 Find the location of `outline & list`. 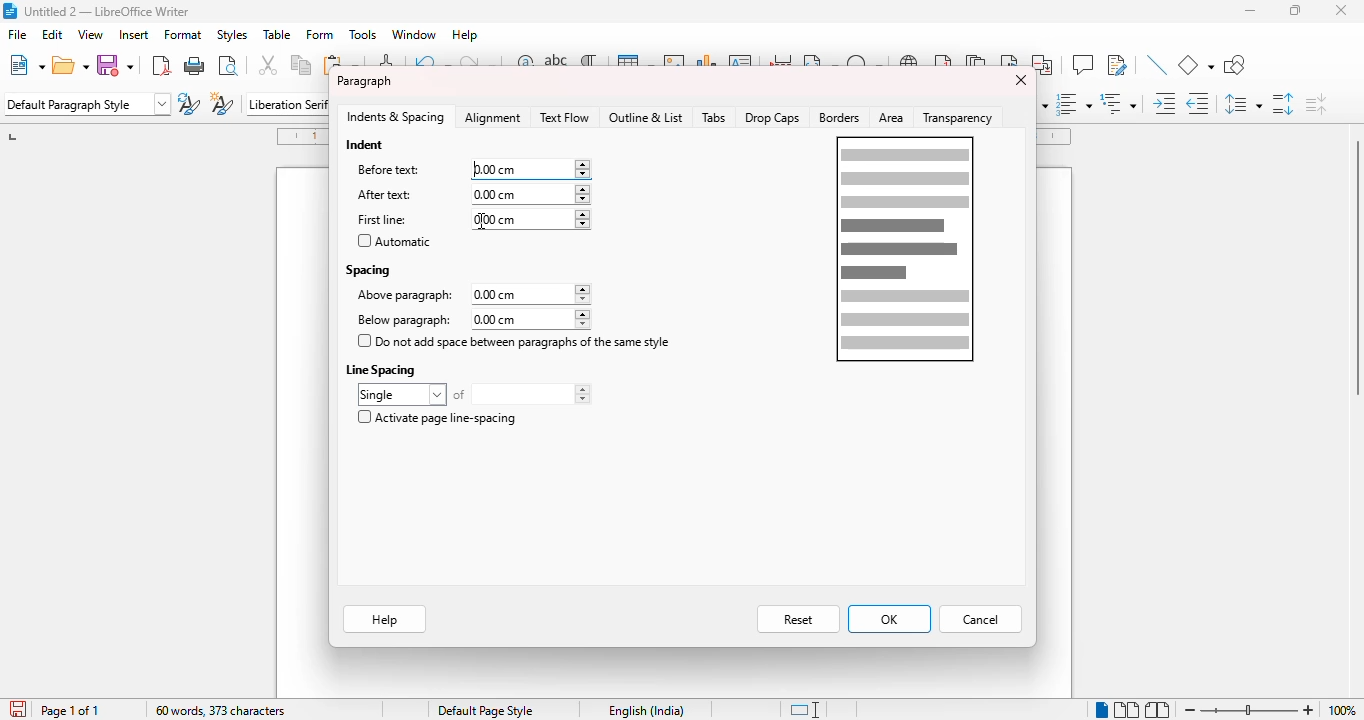

outline & list is located at coordinates (646, 117).